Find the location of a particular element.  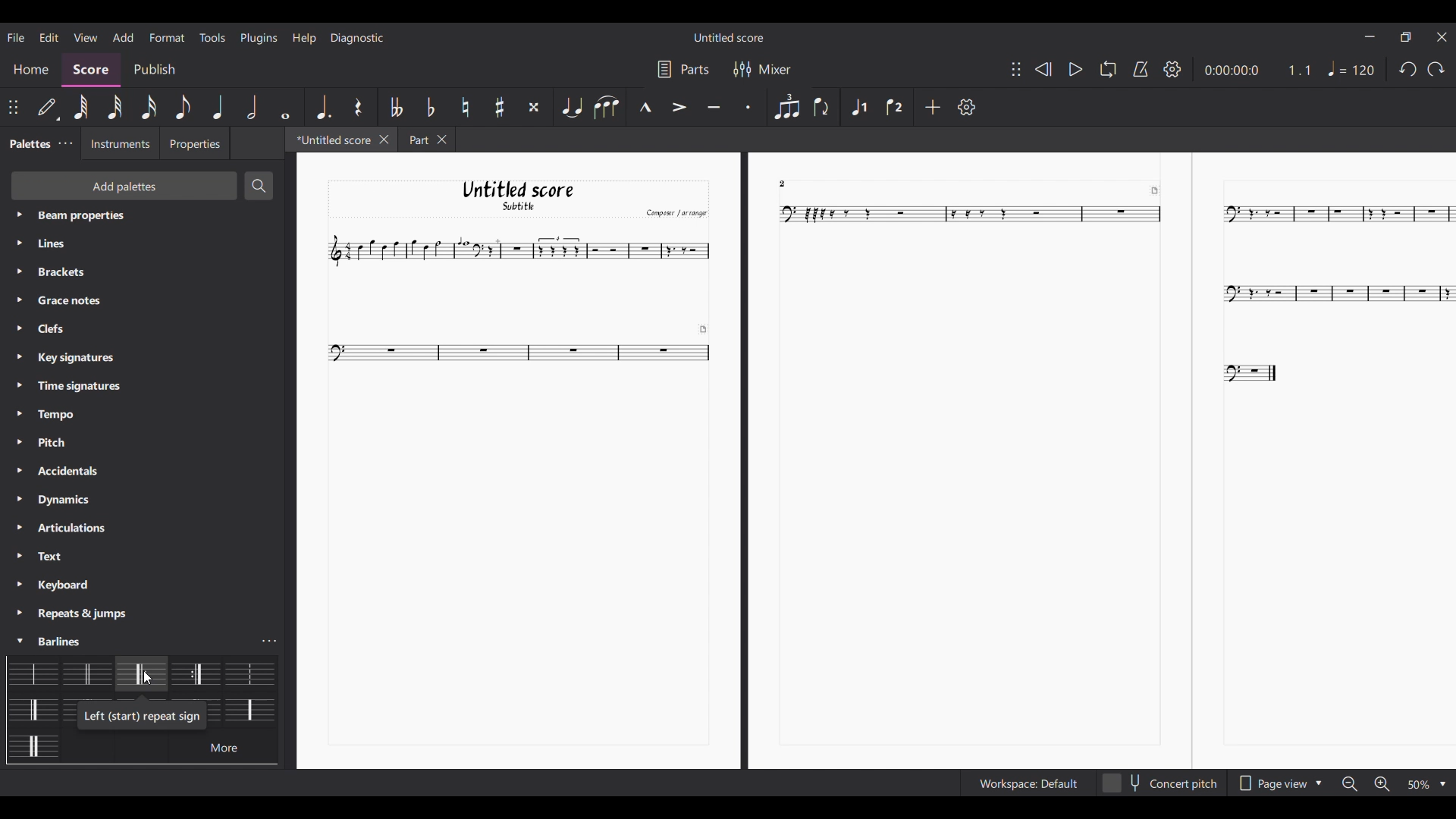

Score section, highlighted is located at coordinates (92, 71).